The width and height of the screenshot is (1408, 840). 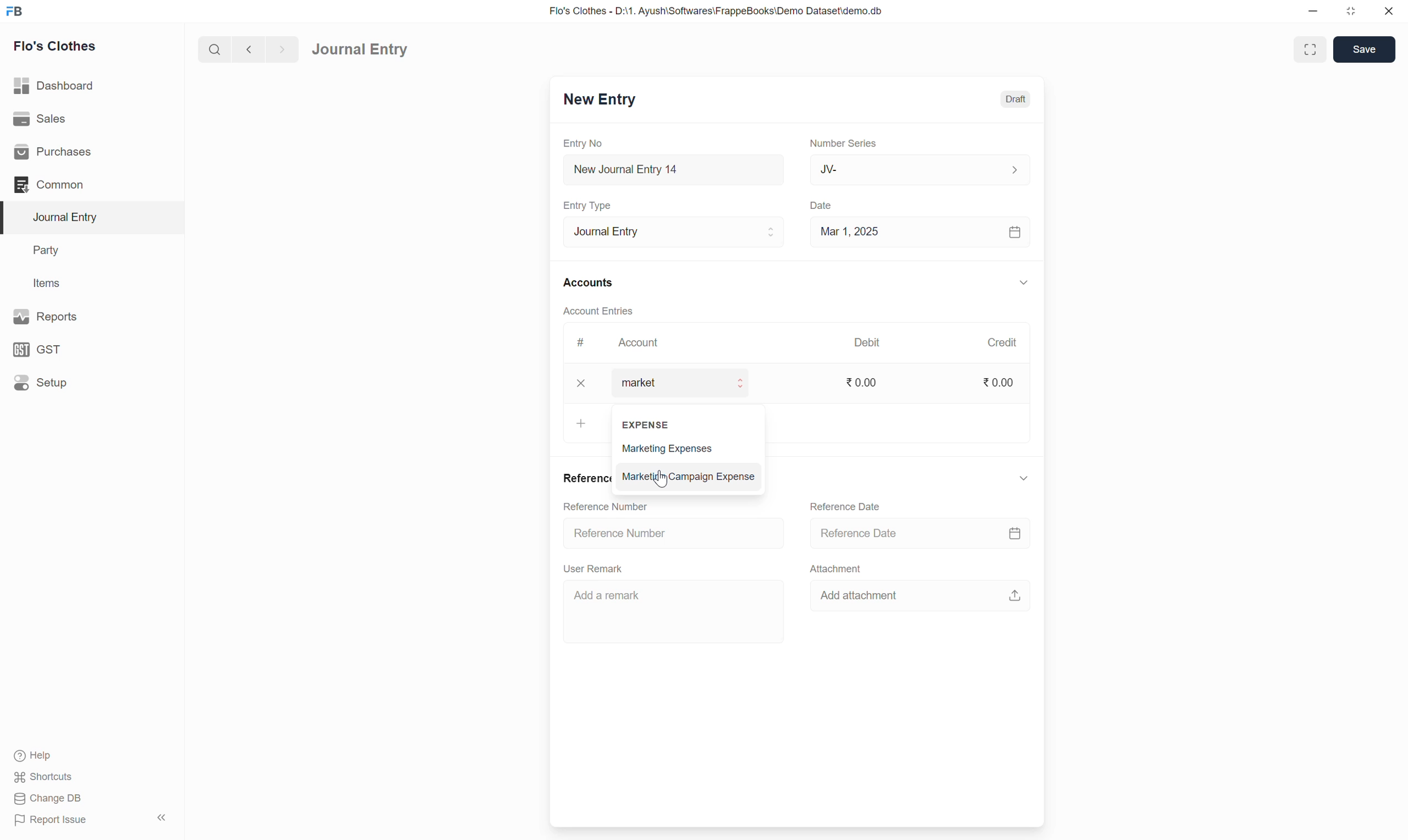 What do you see at coordinates (590, 281) in the screenshot?
I see `Accounts` at bounding box center [590, 281].